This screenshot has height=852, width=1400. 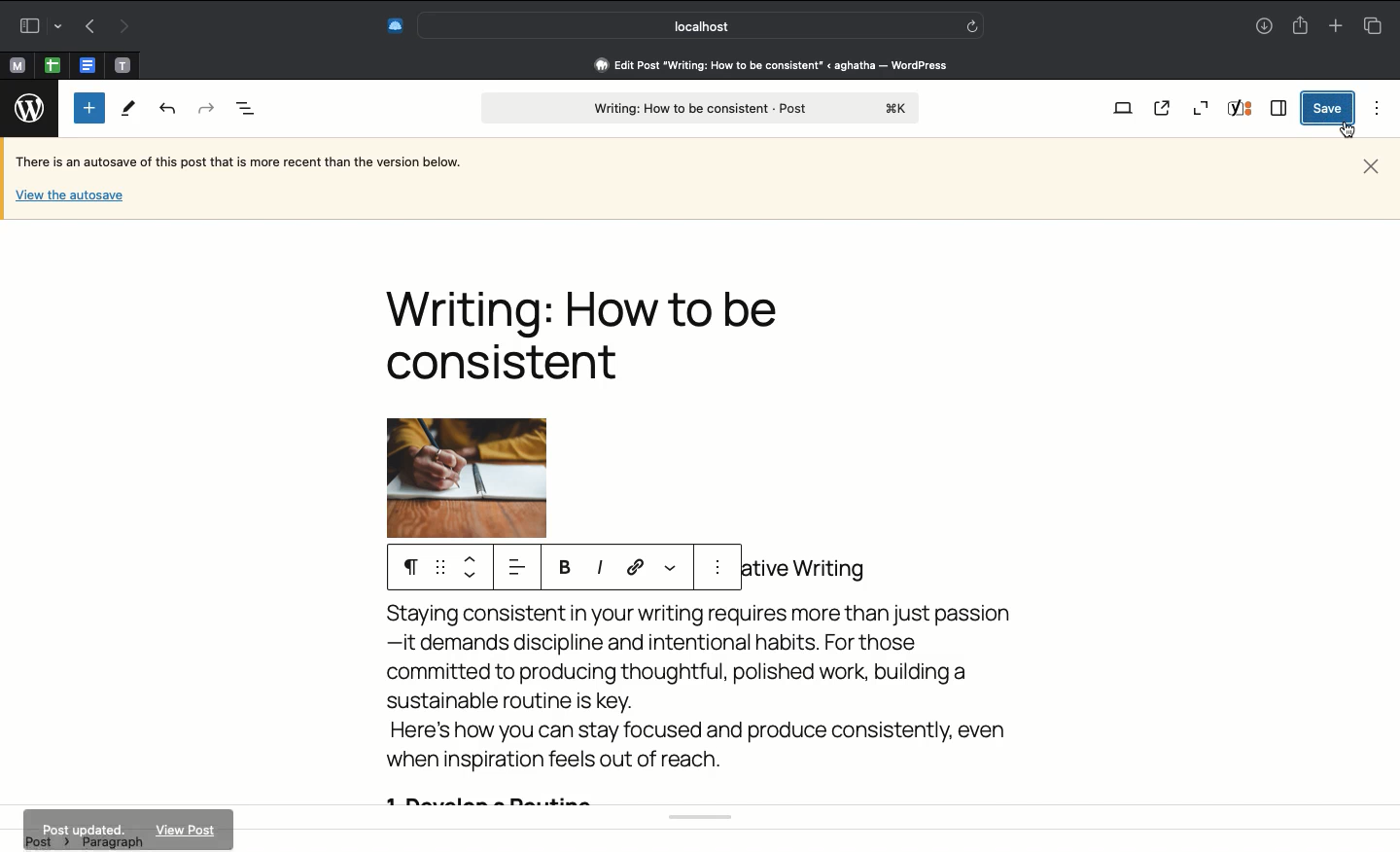 What do you see at coordinates (129, 110) in the screenshot?
I see `Tools` at bounding box center [129, 110].